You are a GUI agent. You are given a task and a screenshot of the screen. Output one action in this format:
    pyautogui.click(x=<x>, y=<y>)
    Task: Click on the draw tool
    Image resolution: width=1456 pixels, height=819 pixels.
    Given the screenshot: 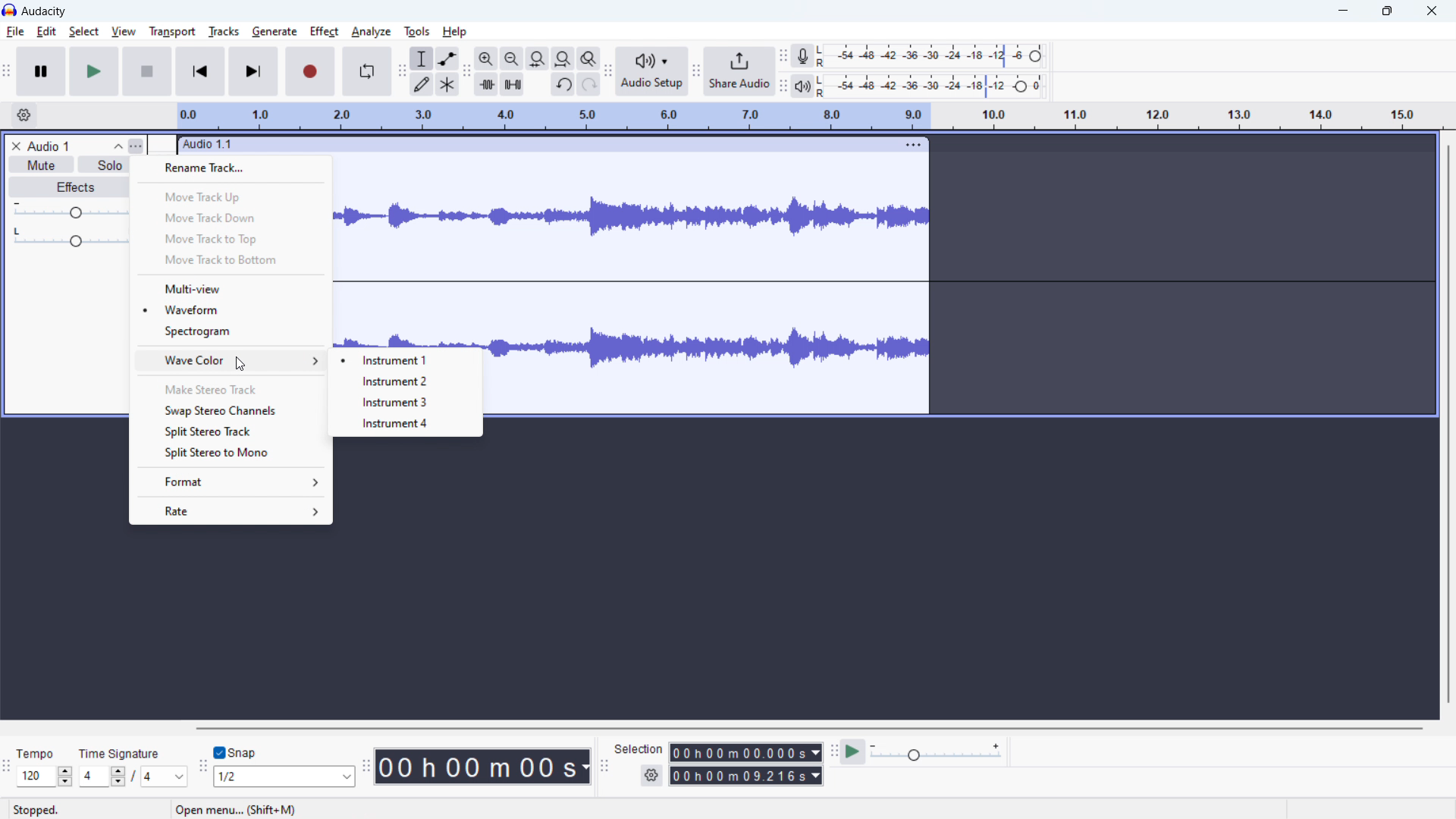 What is the action you would take?
    pyautogui.click(x=422, y=83)
    